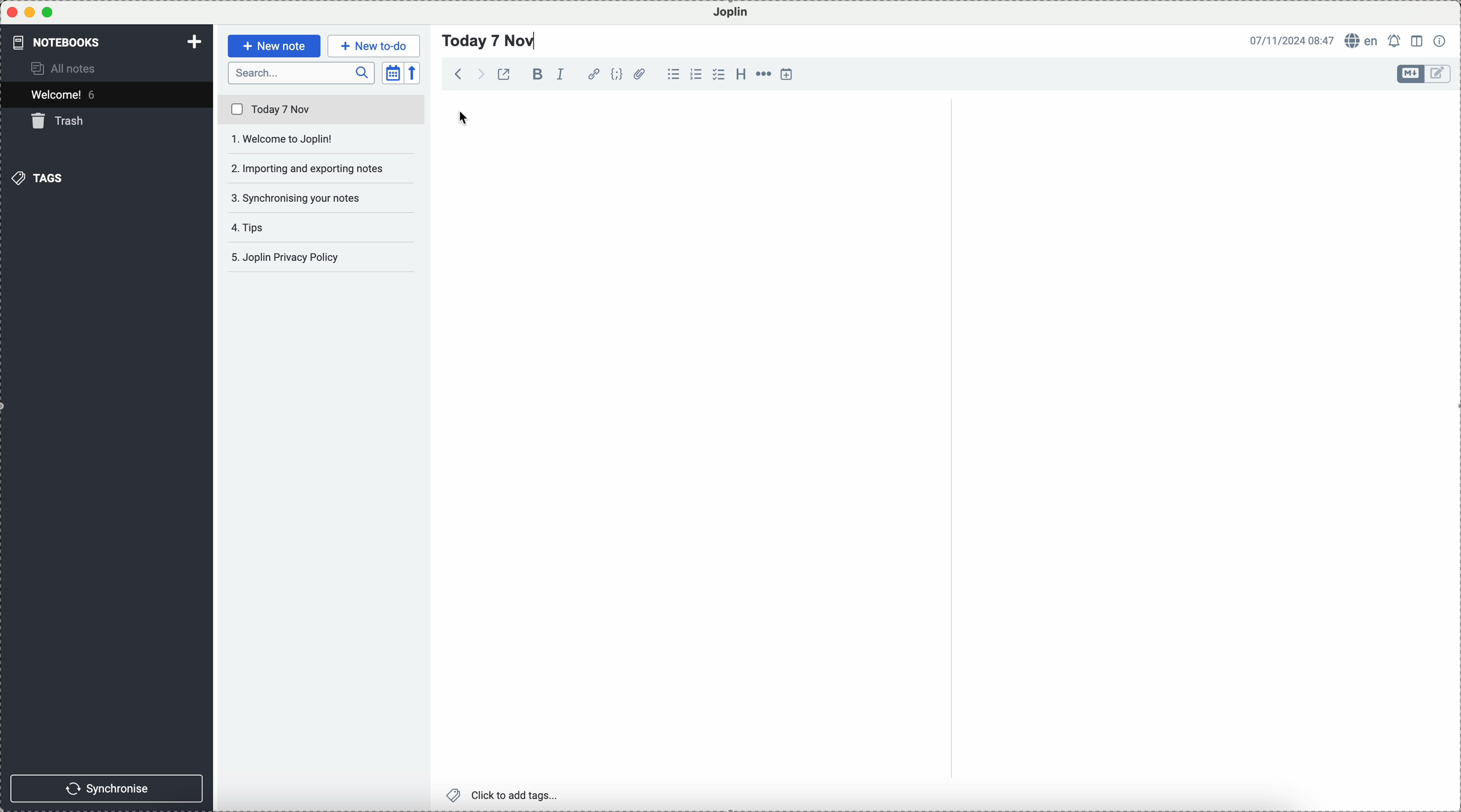  I want to click on note properties, so click(1441, 41).